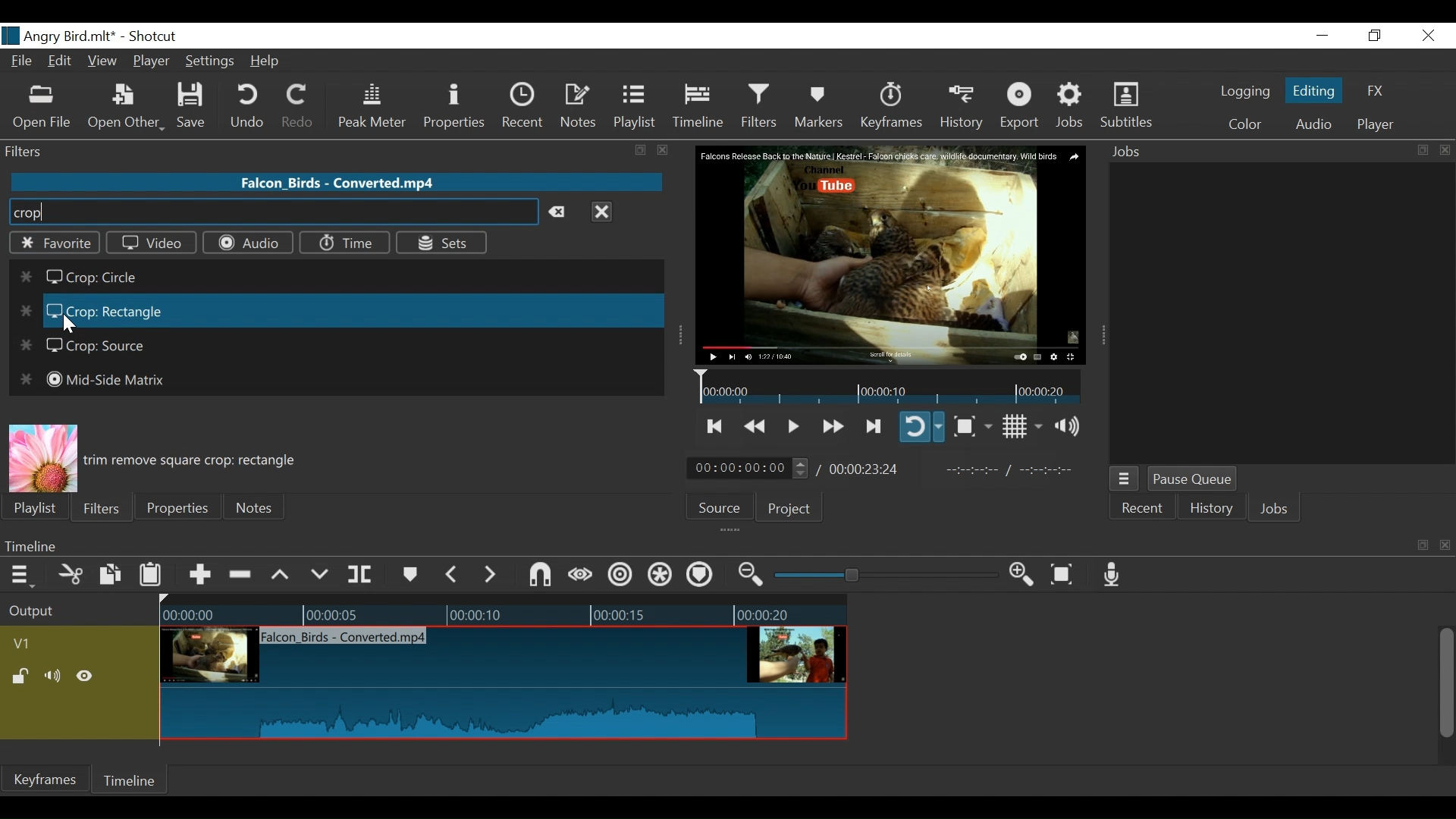 The height and width of the screenshot is (819, 1456). I want to click on Snap , so click(540, 576).